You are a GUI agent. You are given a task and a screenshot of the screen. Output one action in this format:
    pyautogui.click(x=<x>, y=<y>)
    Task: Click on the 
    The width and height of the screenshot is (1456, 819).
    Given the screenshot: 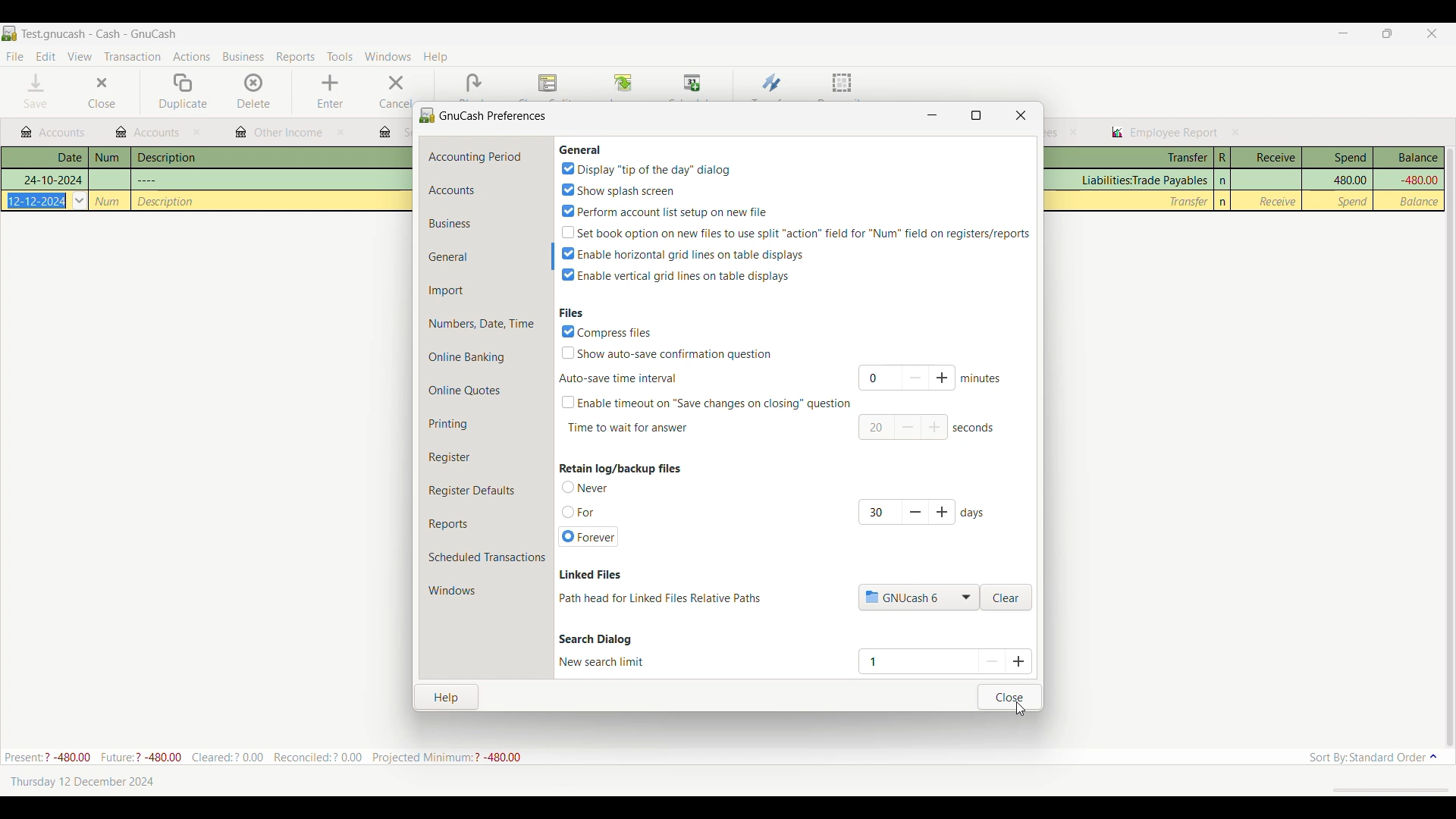 What is the action you would take?
    pyautogui.click(x=52, y=180)
    